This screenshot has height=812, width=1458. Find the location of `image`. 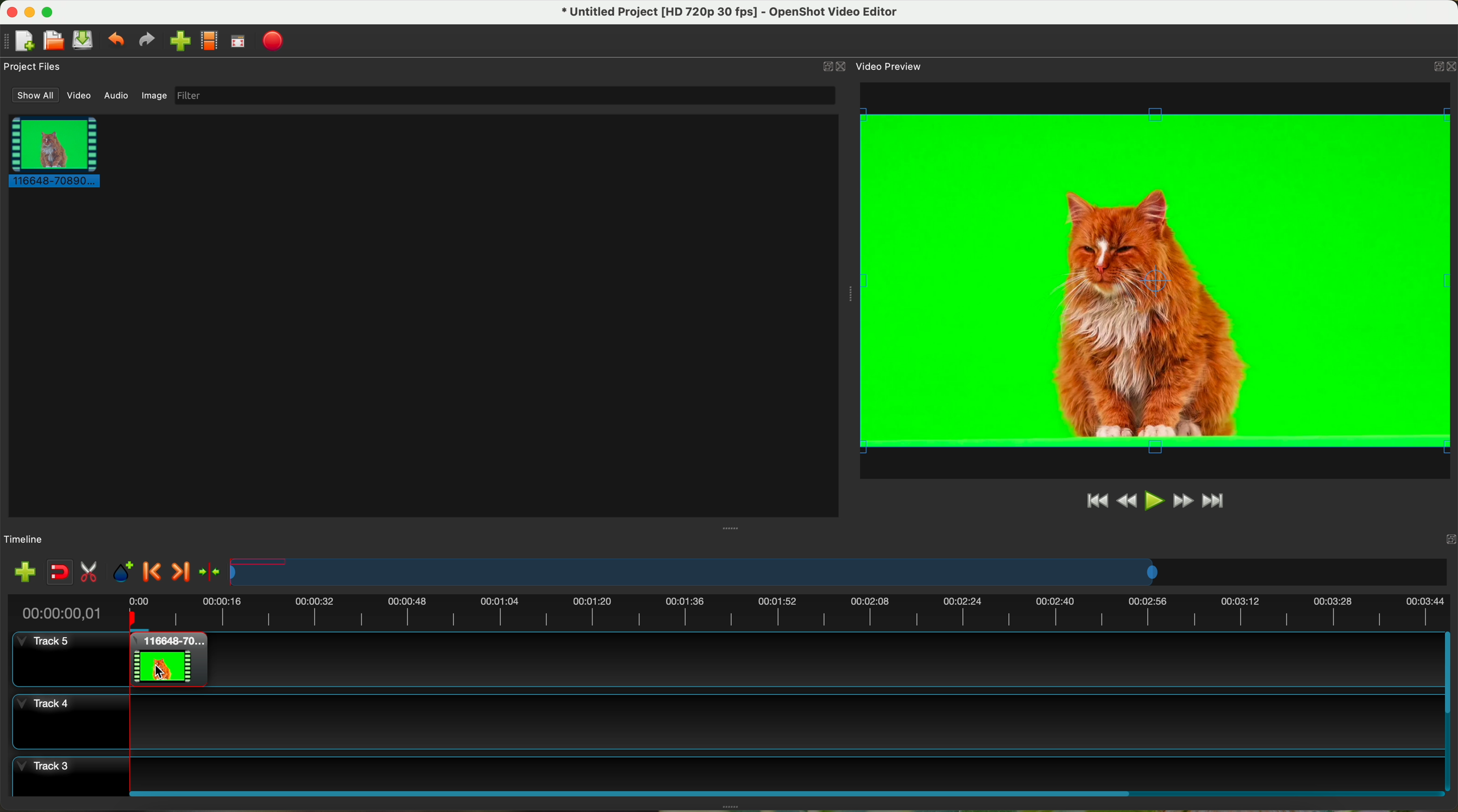

image is located at coordinates (154, 97).